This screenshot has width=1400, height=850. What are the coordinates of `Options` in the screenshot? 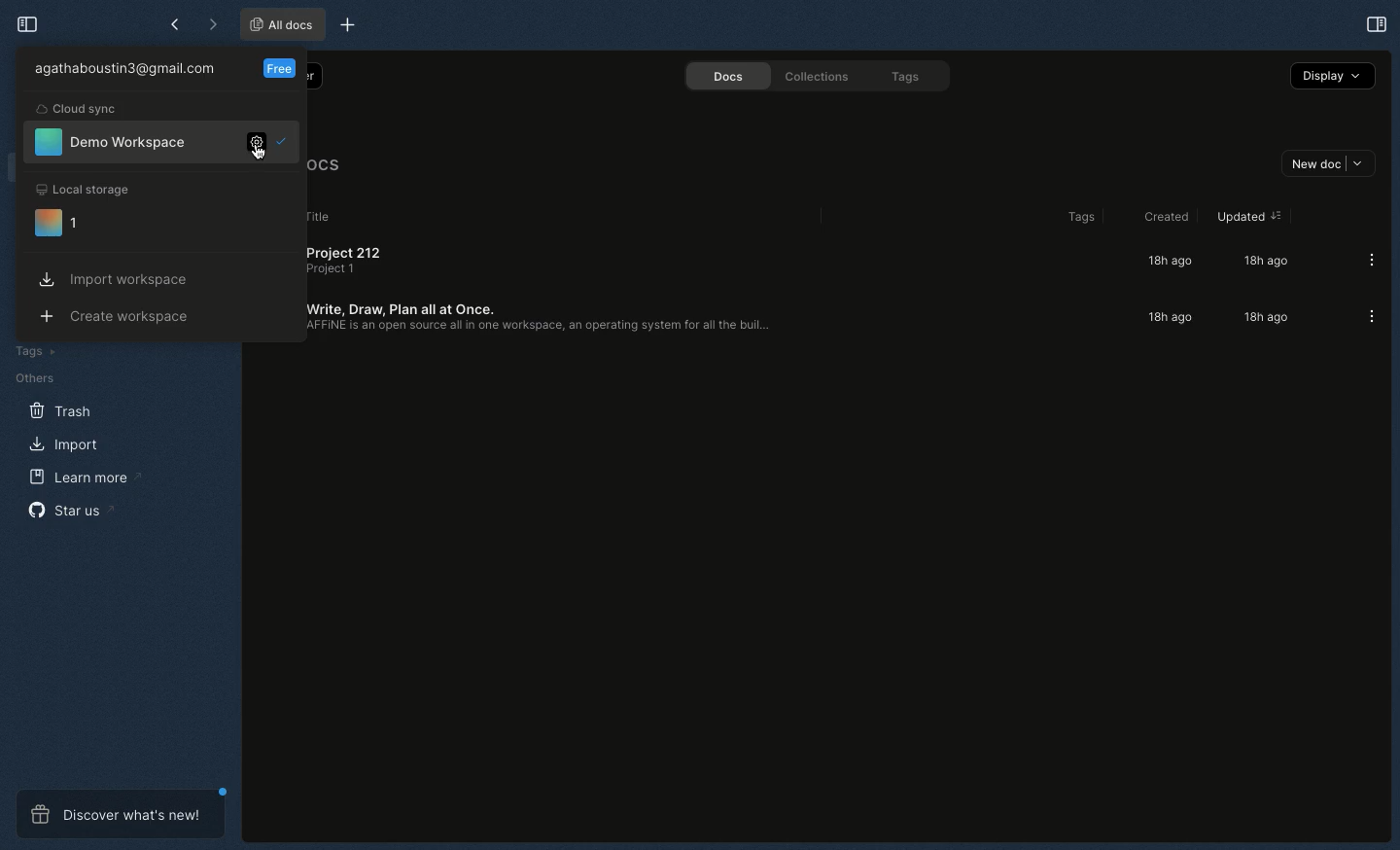 It's located at (1365, 316).